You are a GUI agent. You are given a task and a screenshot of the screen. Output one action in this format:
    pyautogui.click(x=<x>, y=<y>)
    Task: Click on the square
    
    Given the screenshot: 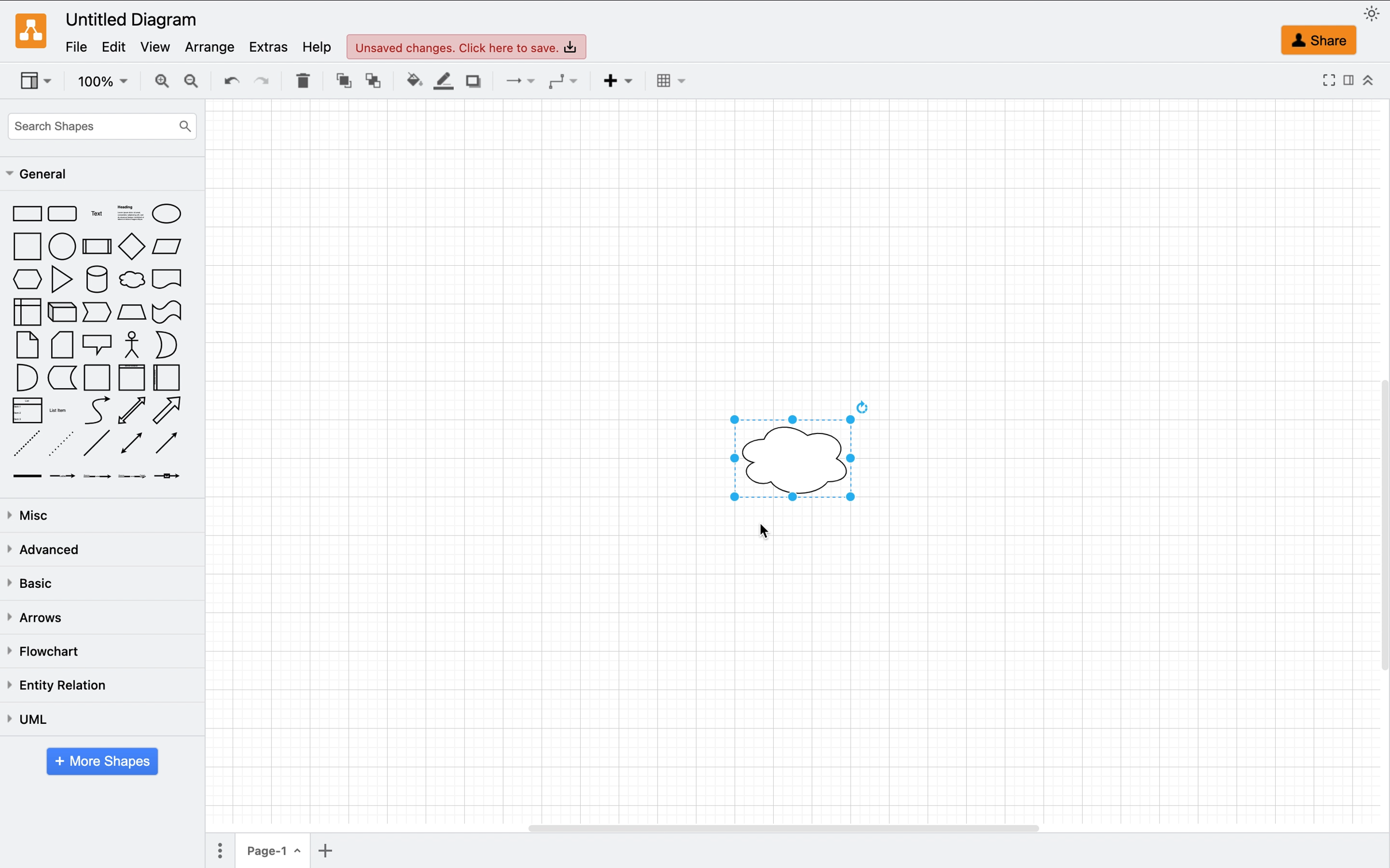 What is the action you would take?
    pyautogui.click(x=26, y=246)
    